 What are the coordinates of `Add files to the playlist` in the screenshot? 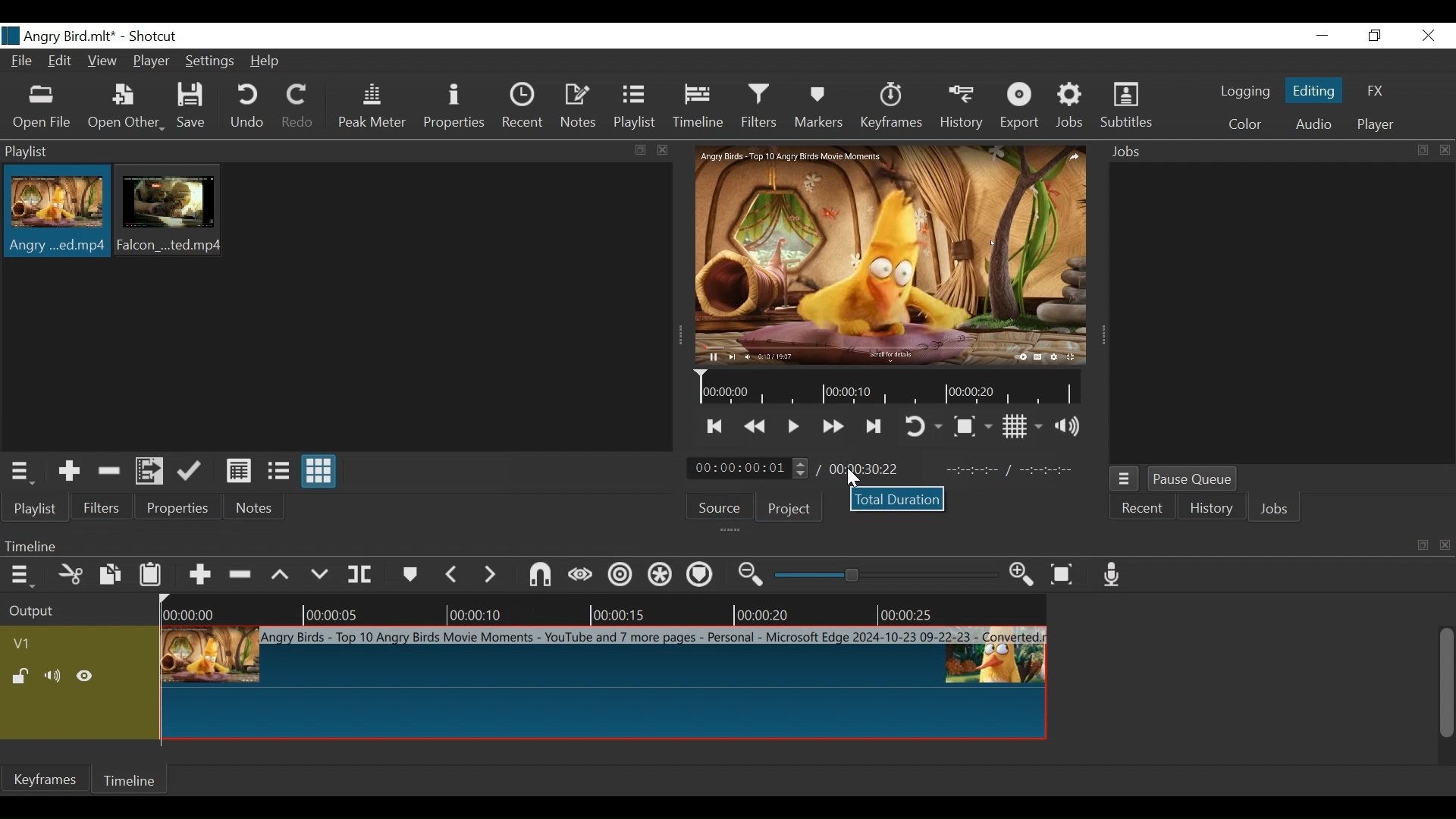 It's located at (151, 471).